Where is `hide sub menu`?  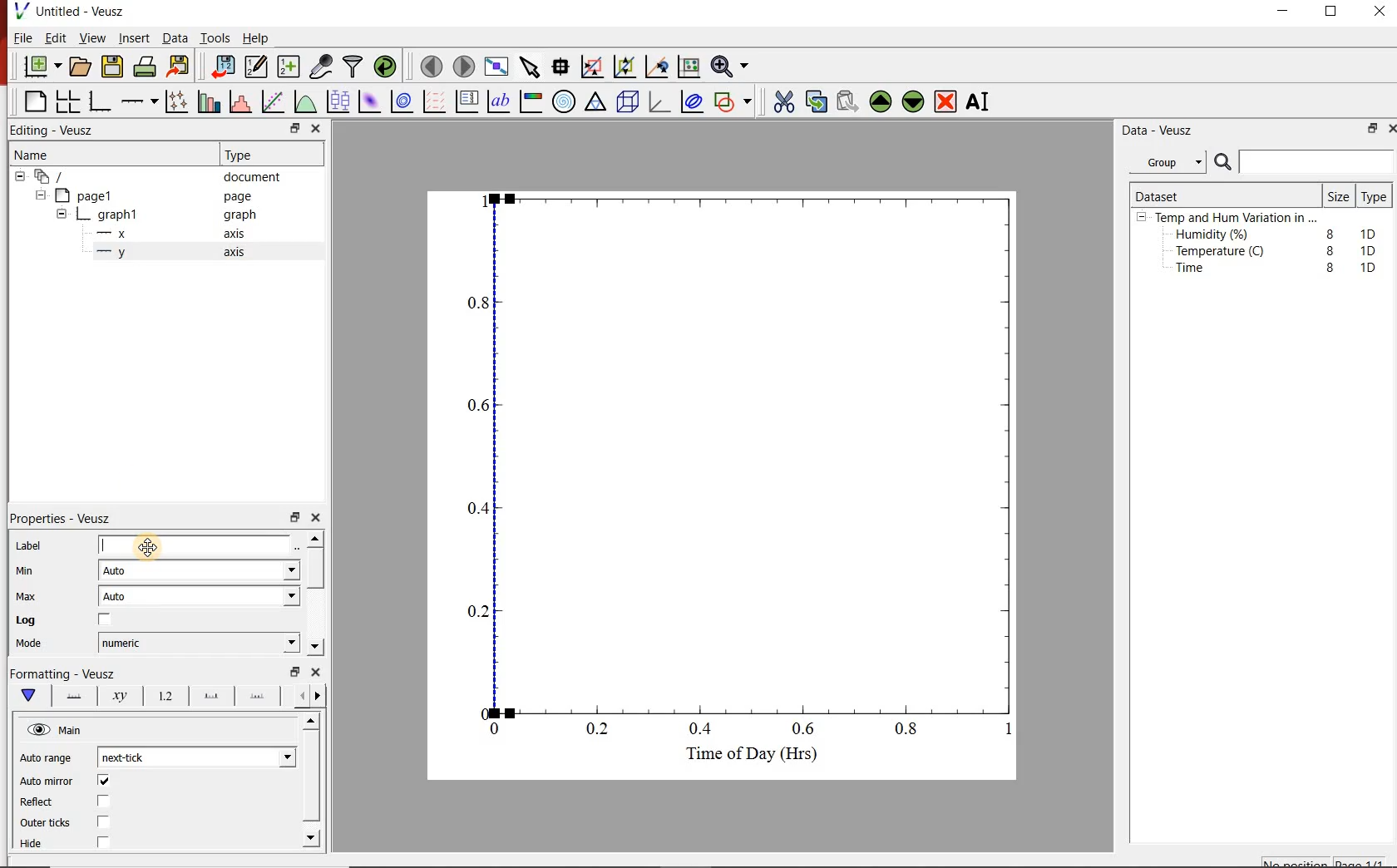 hide sub menu is located at coordinates (43, 197).